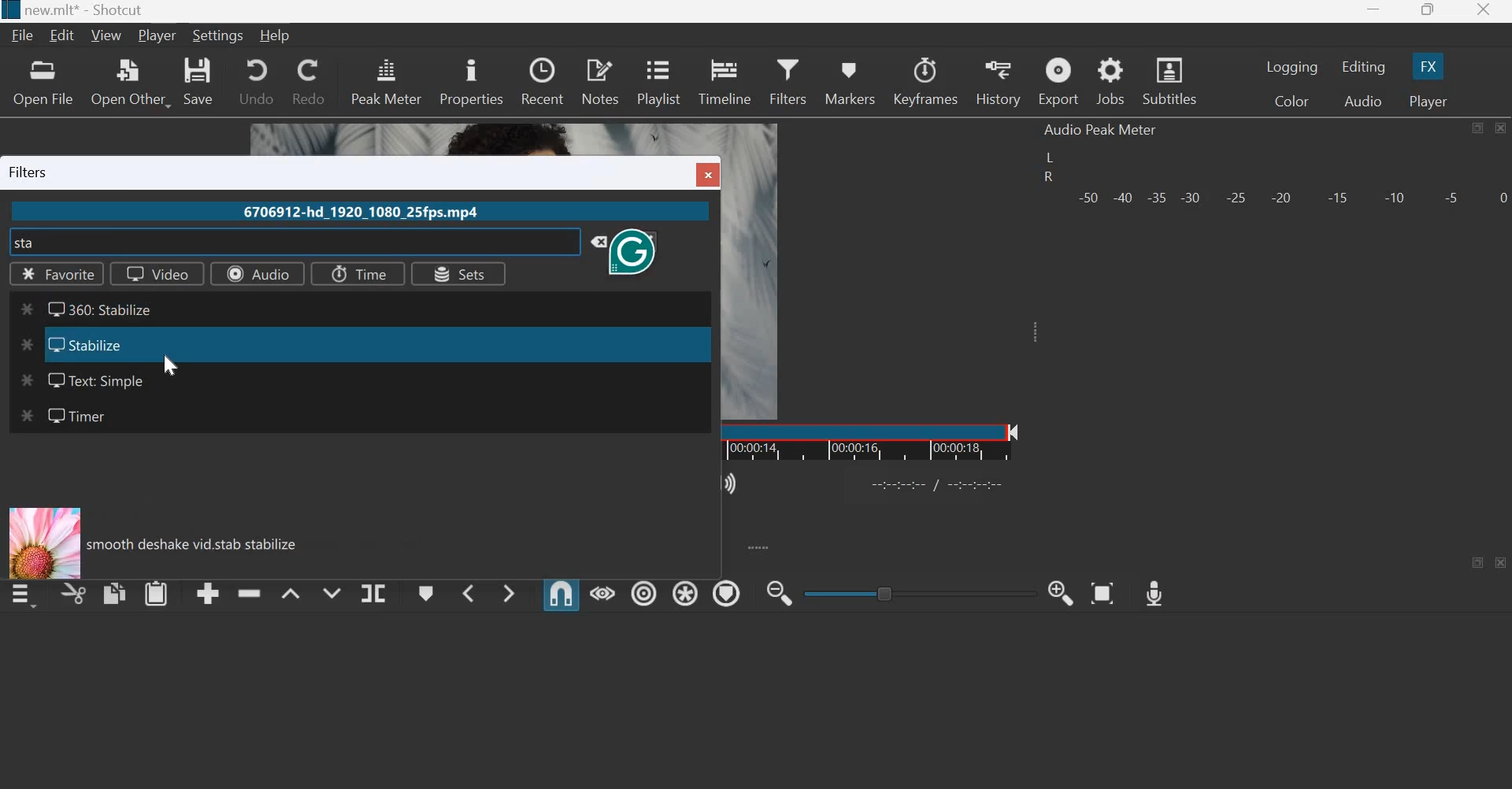 The image size is (1512, 789). I want to click on Previous Marker, so click(465, 592).